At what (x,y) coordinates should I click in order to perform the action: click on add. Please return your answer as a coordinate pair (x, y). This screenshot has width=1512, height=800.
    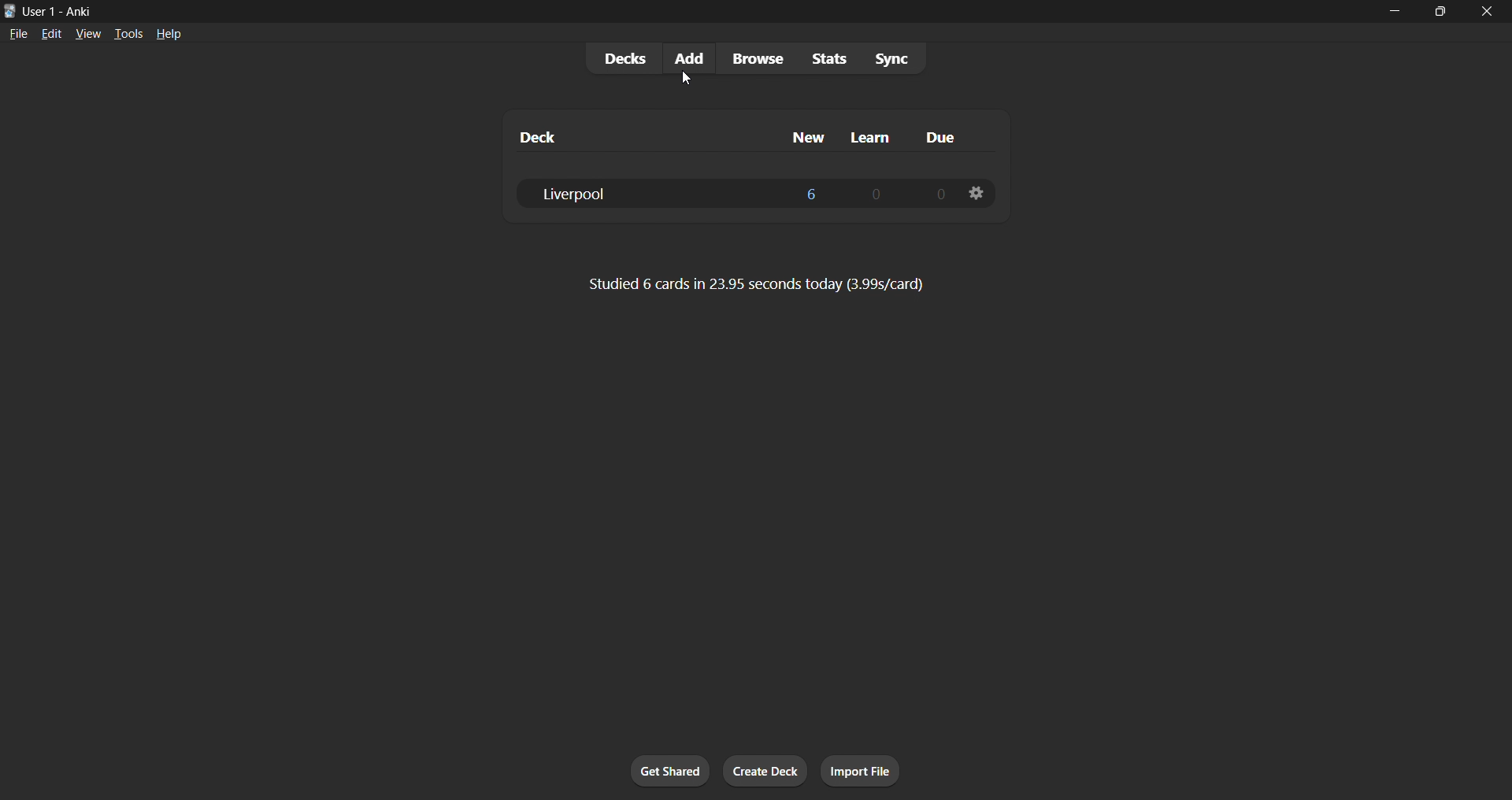
    Looking at the image, I should click on (691, 59).